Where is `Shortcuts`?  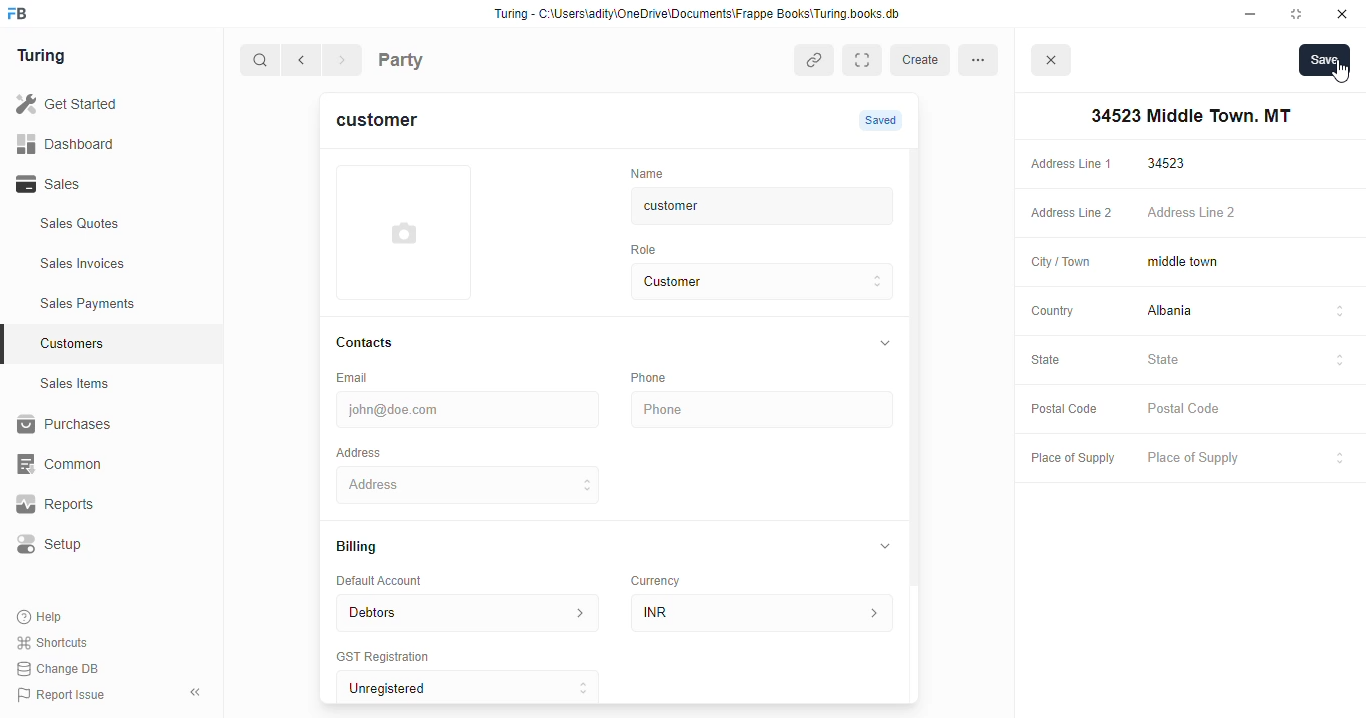 Shortcuts is located at coordinates (58, 643).